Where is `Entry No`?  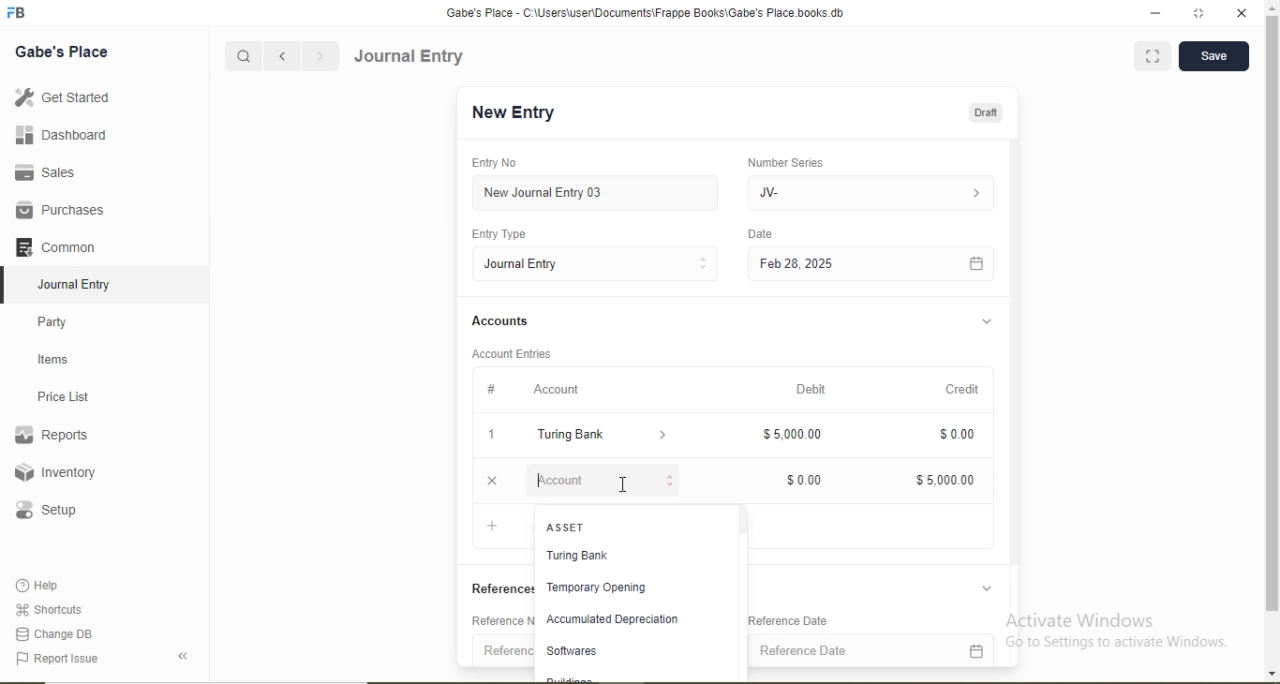 Entry No is located at coordinates (497, 163).